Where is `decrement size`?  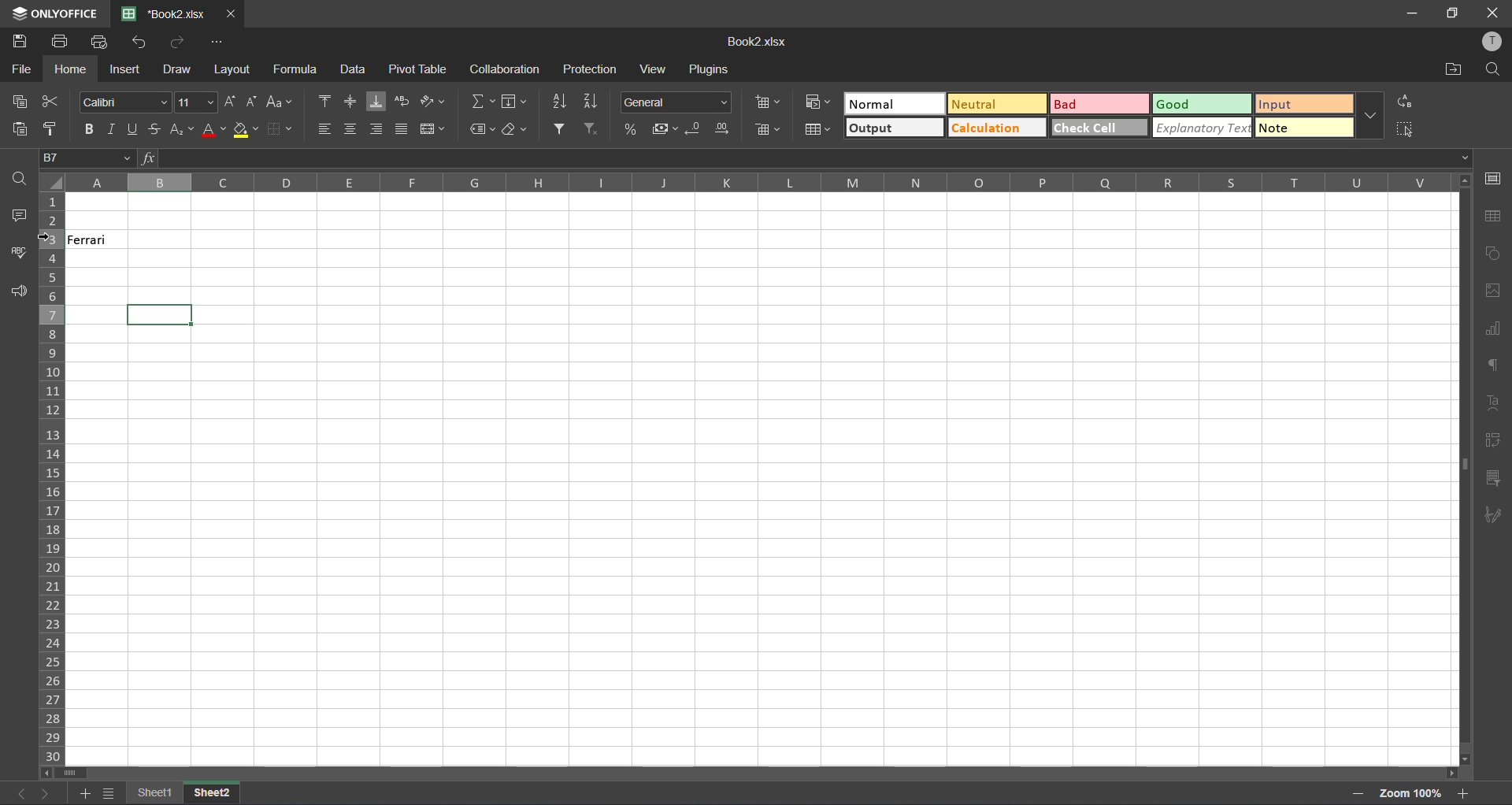 decrement size is located at coordinates (248, 102).